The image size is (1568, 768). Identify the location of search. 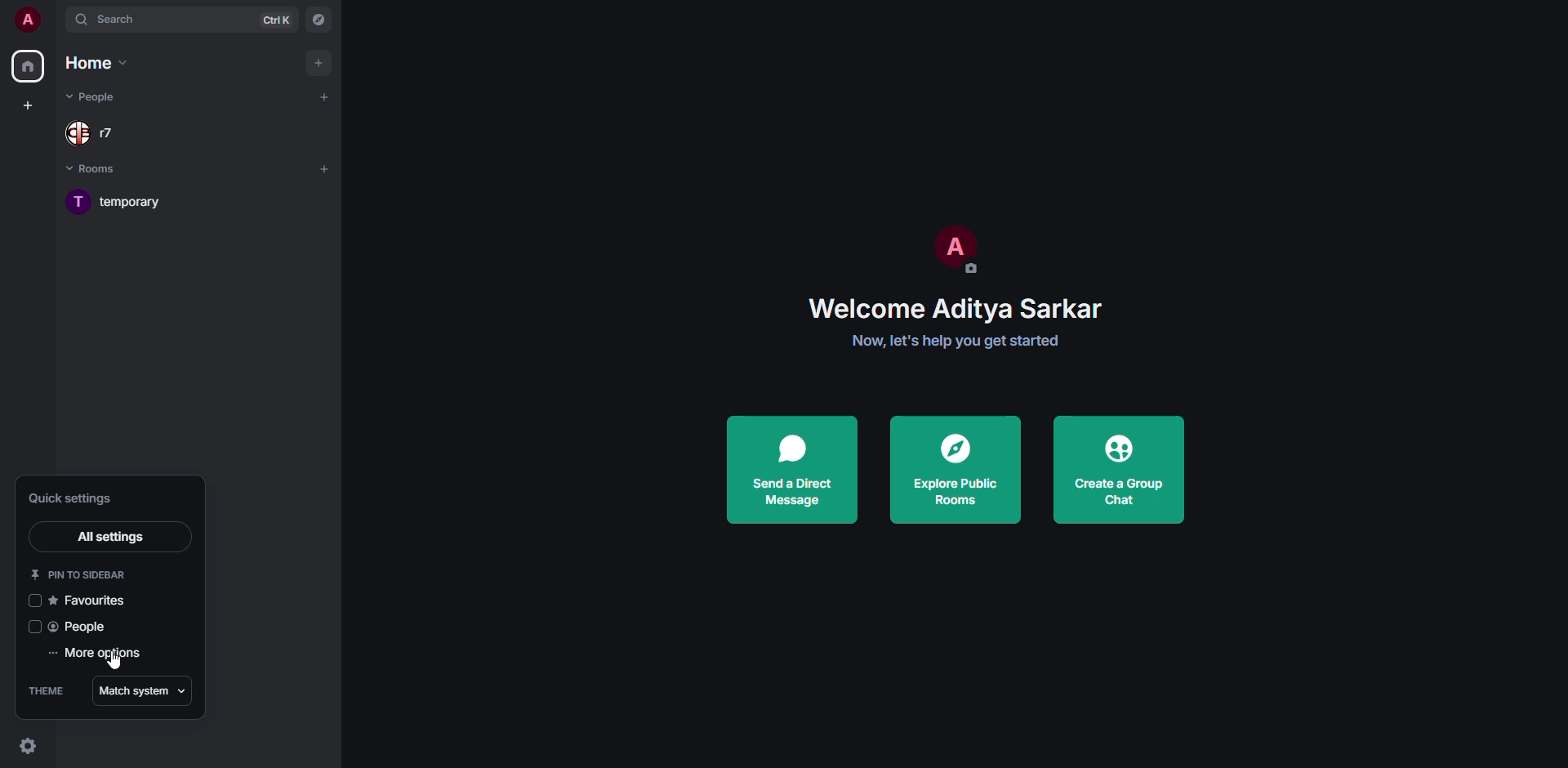
(118, 20).